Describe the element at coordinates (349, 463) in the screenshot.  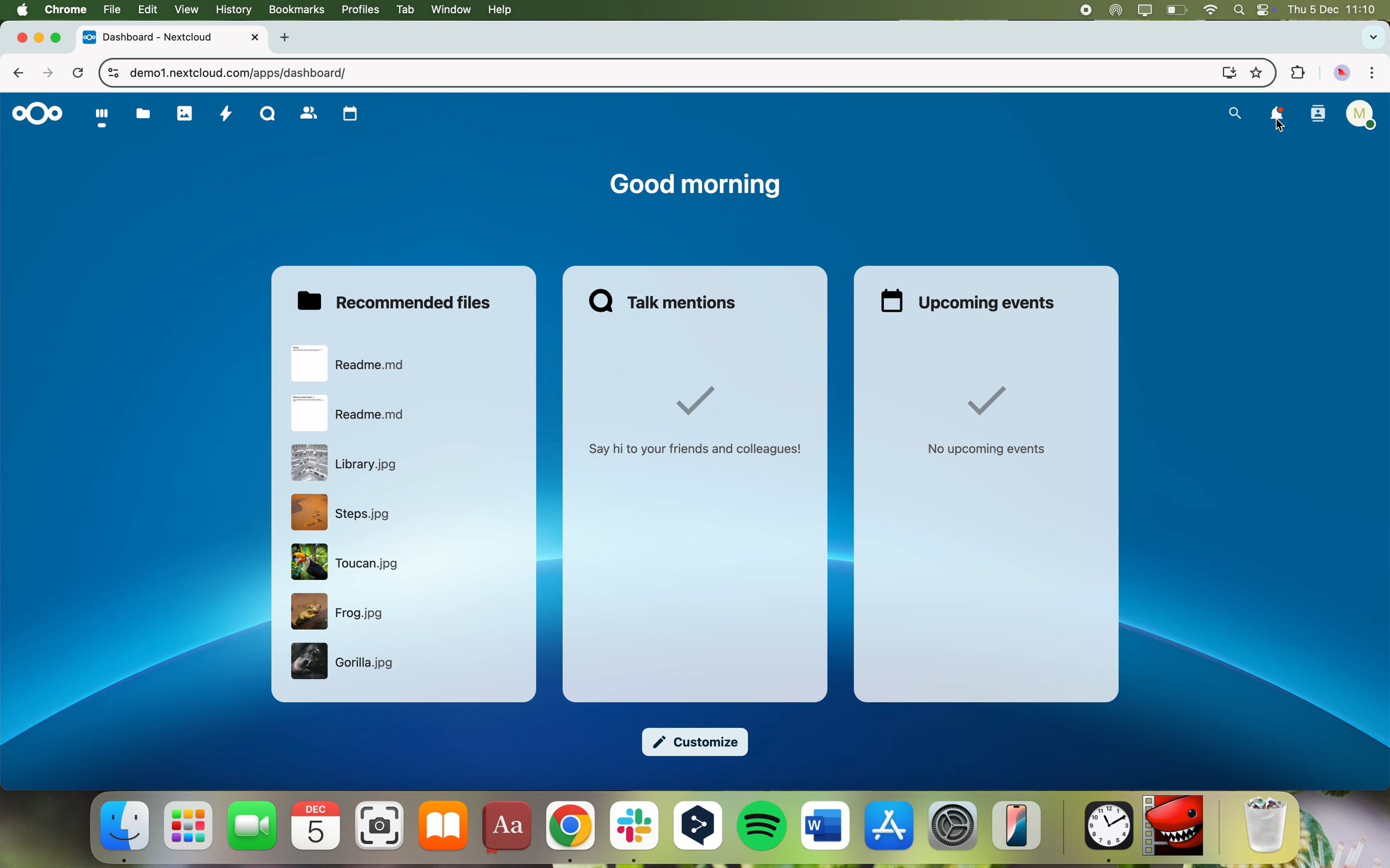
I see `file` at that location.